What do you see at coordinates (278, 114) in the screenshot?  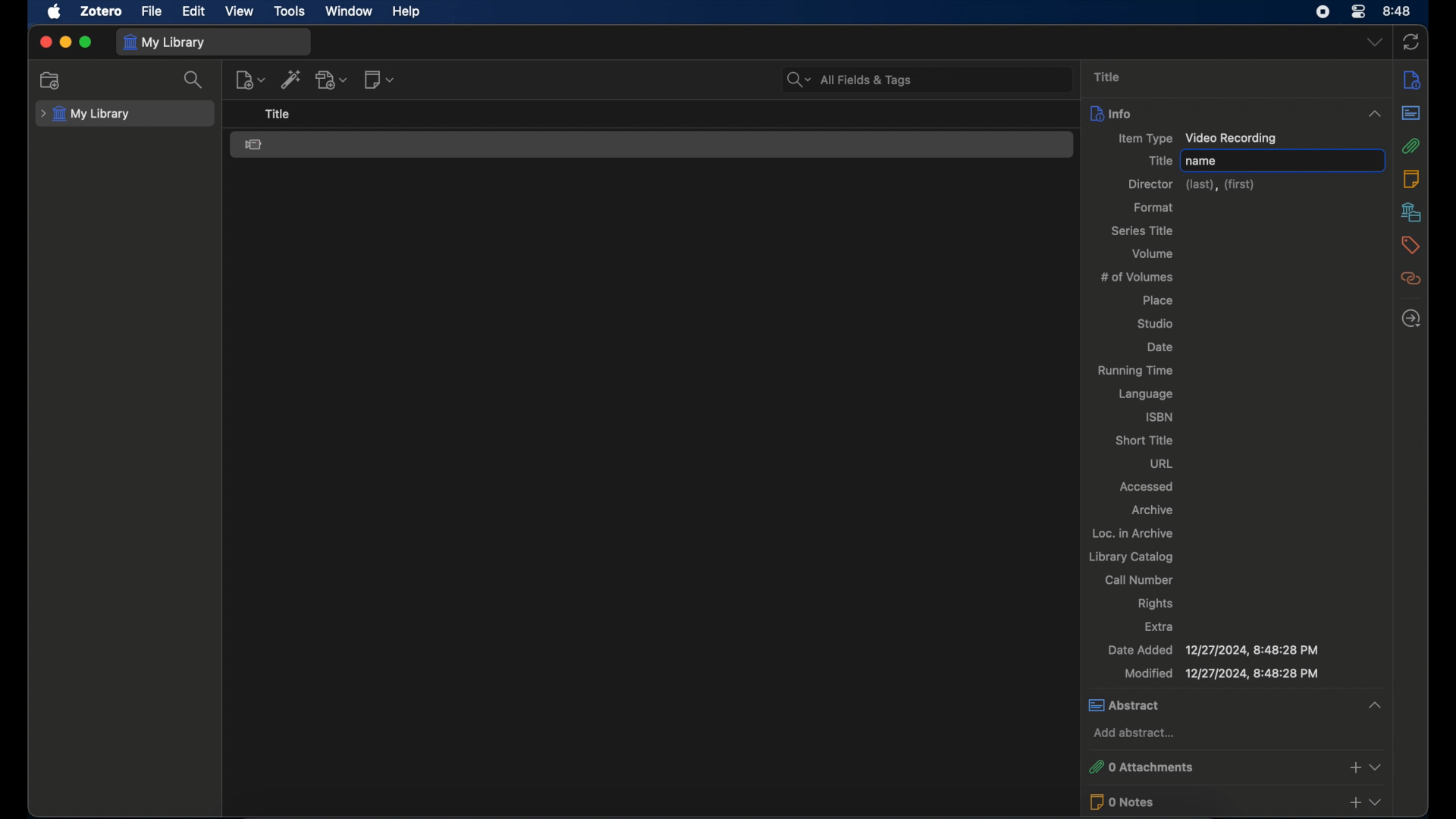 I see `title` at bounding box center [278, 114].